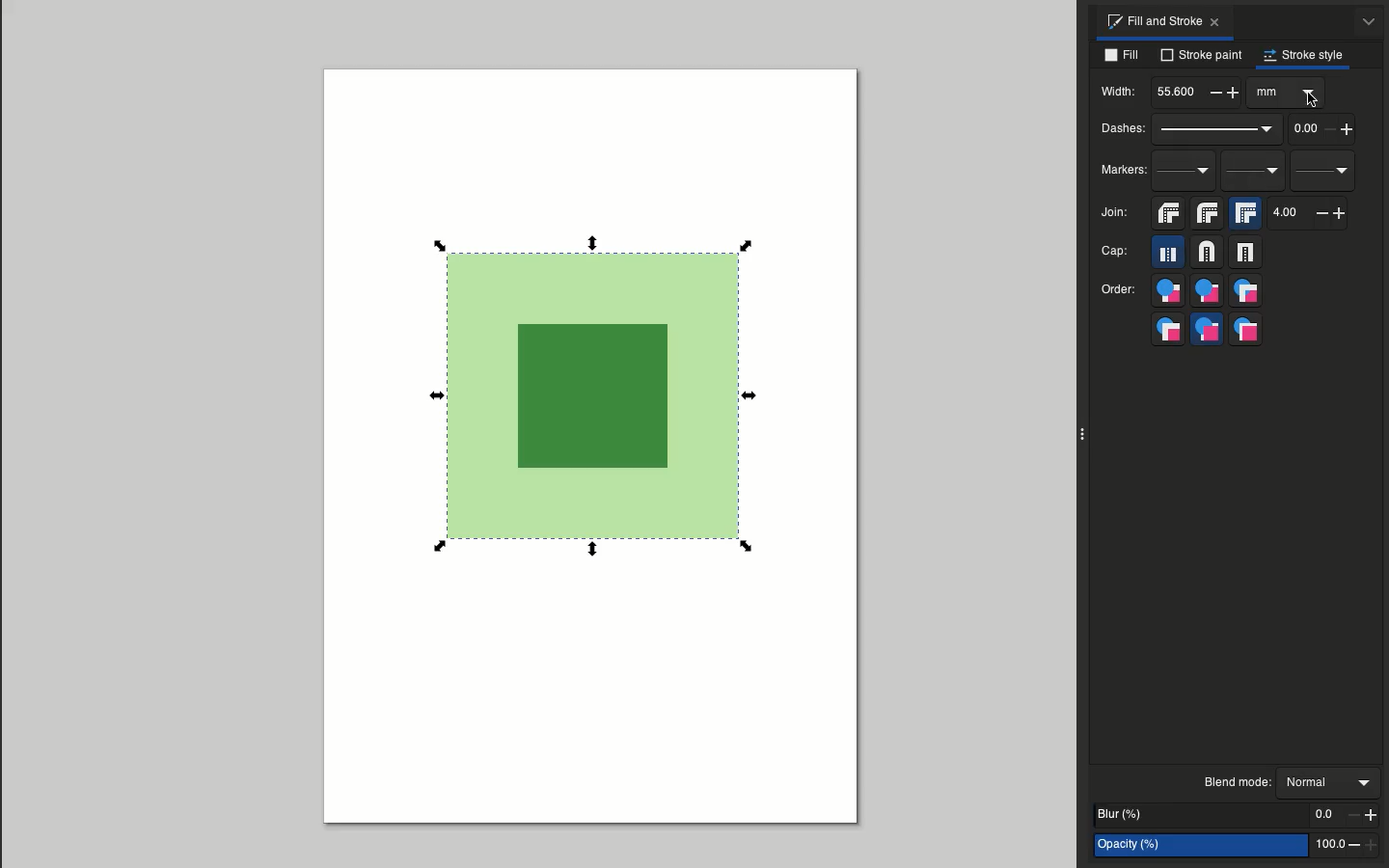 The width and height of the screenshot is (1389, 868). Describe the element at coordinates (1305, 57) in the screenshot. I see `Stroke style` at that location.